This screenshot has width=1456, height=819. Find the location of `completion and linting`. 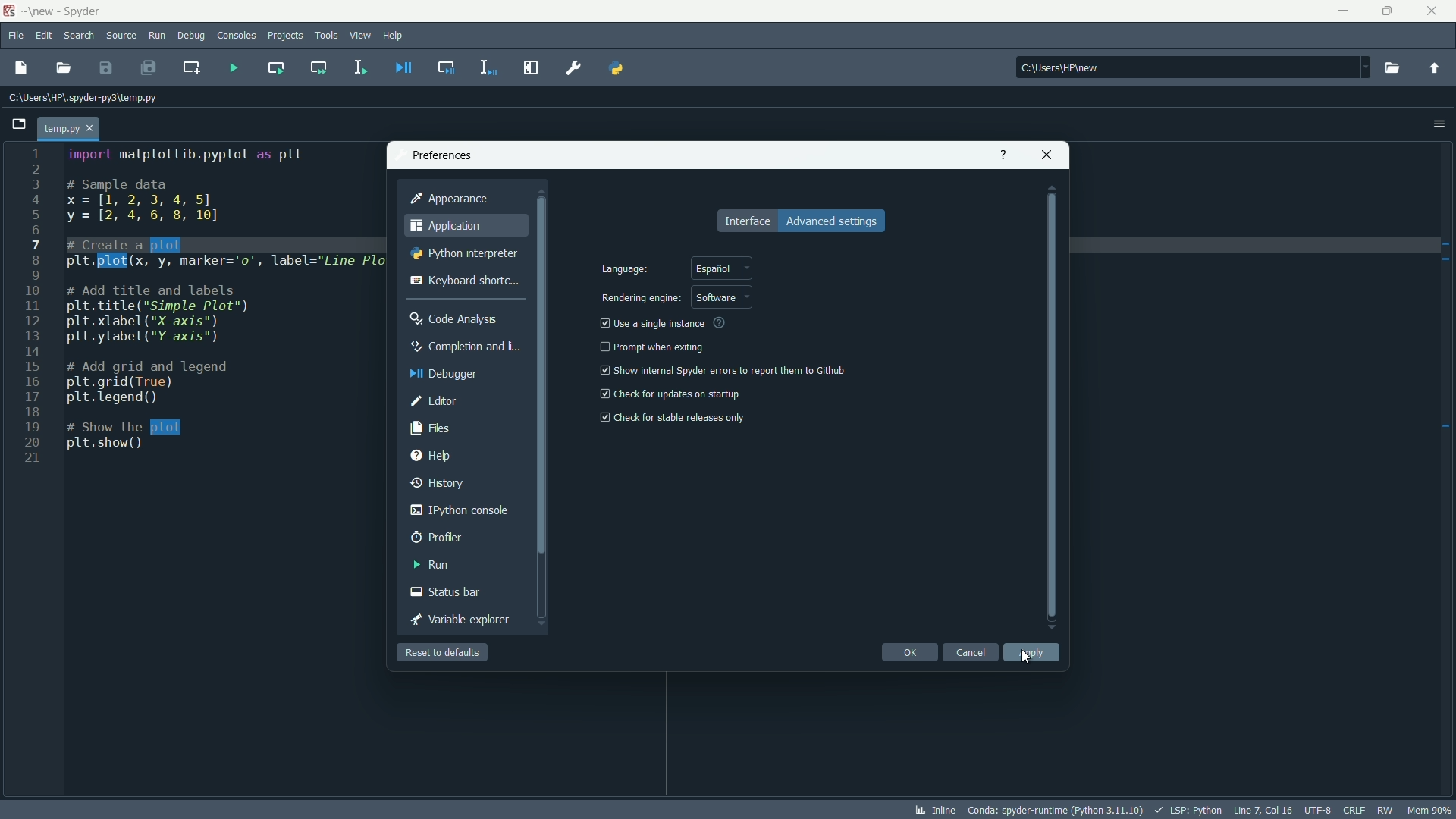

completion and linting is located at coordinates (466, 346).